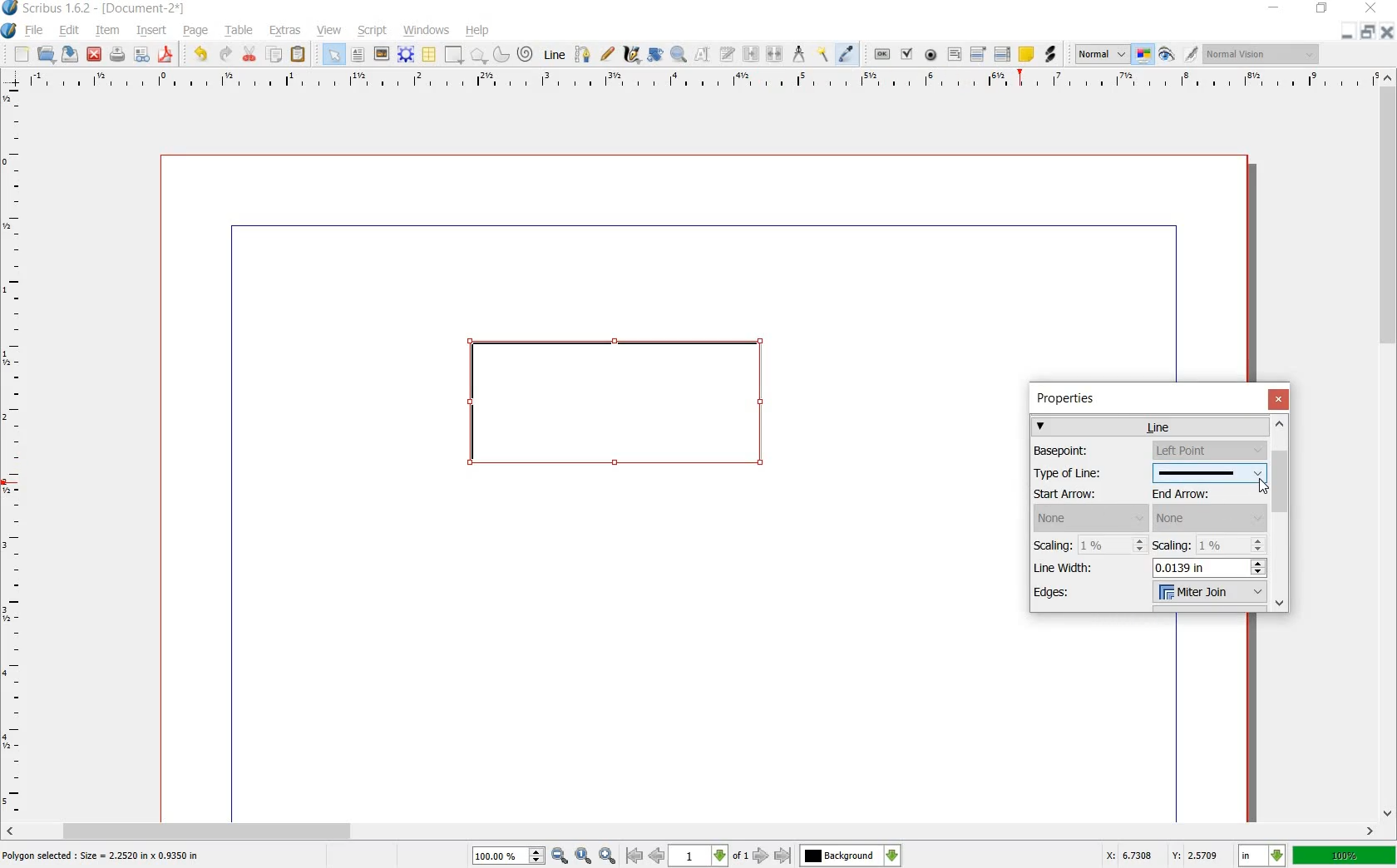  What do you see at coordinates (1210, 518) in the screenshot?
I see `end arrow` at bounding box center [1210, 518].